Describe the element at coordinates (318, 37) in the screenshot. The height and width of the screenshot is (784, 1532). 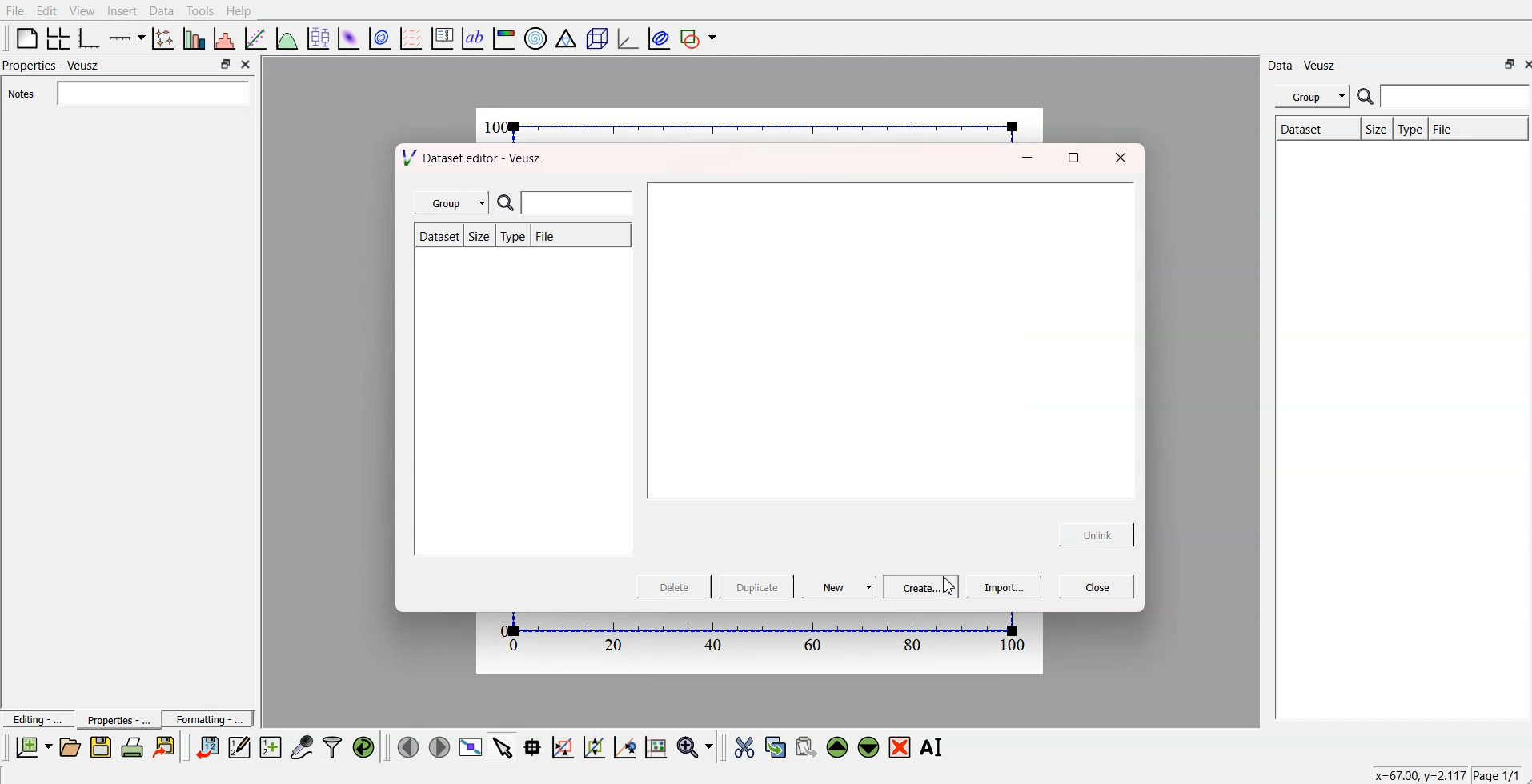
I see `plot box plots` at that location.